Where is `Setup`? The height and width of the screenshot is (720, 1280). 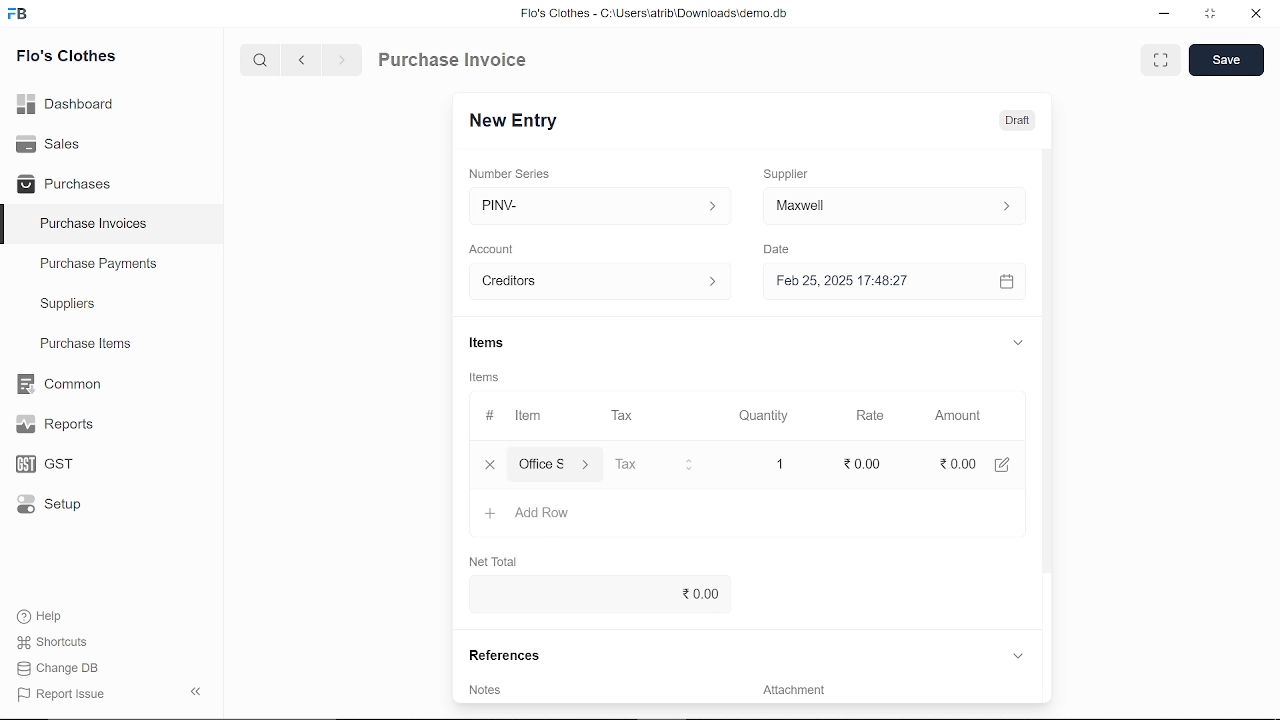 Setup is located at coordinates (44, 508).